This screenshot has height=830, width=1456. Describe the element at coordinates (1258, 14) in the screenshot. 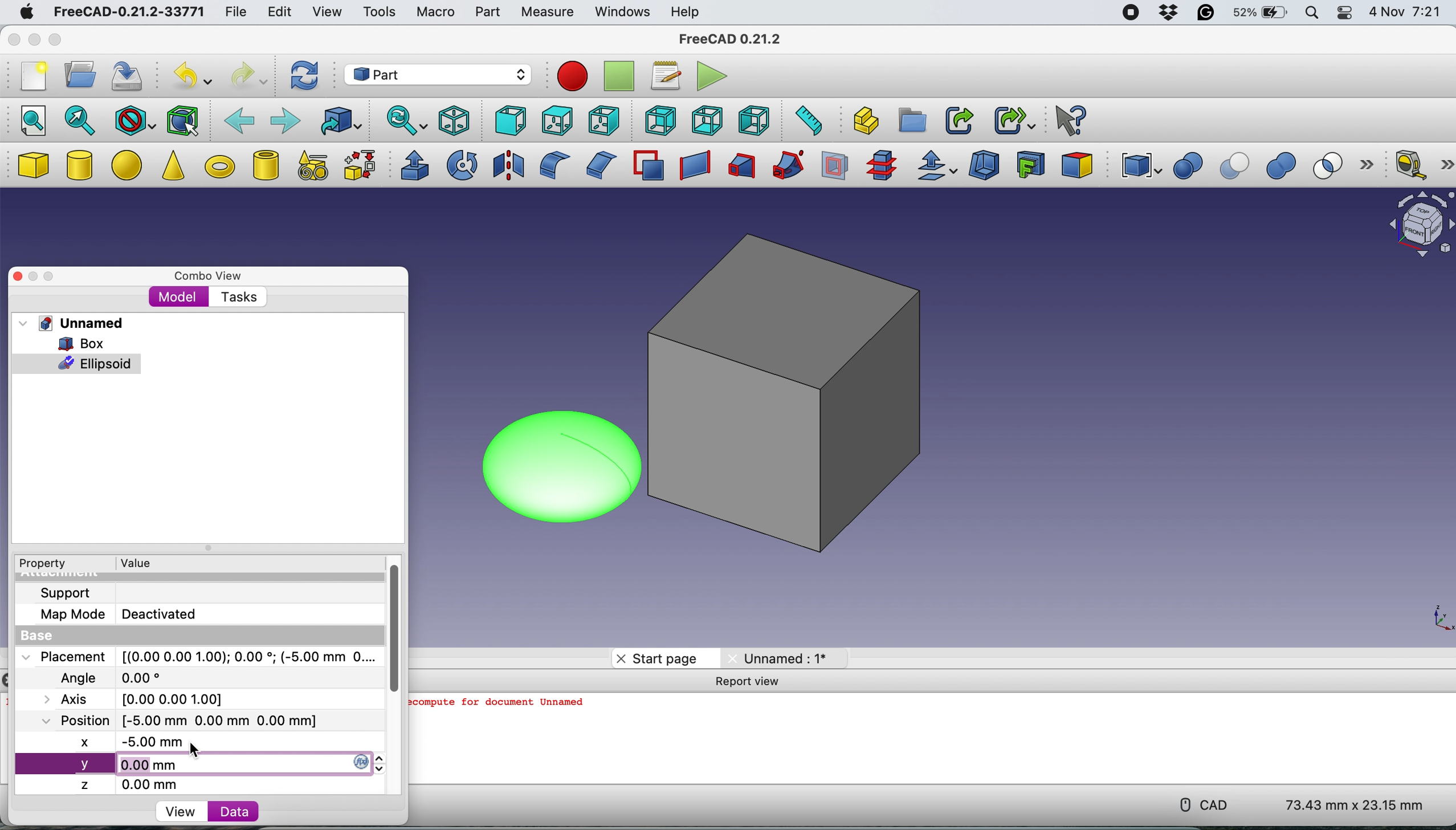

I see `battery` at that location.